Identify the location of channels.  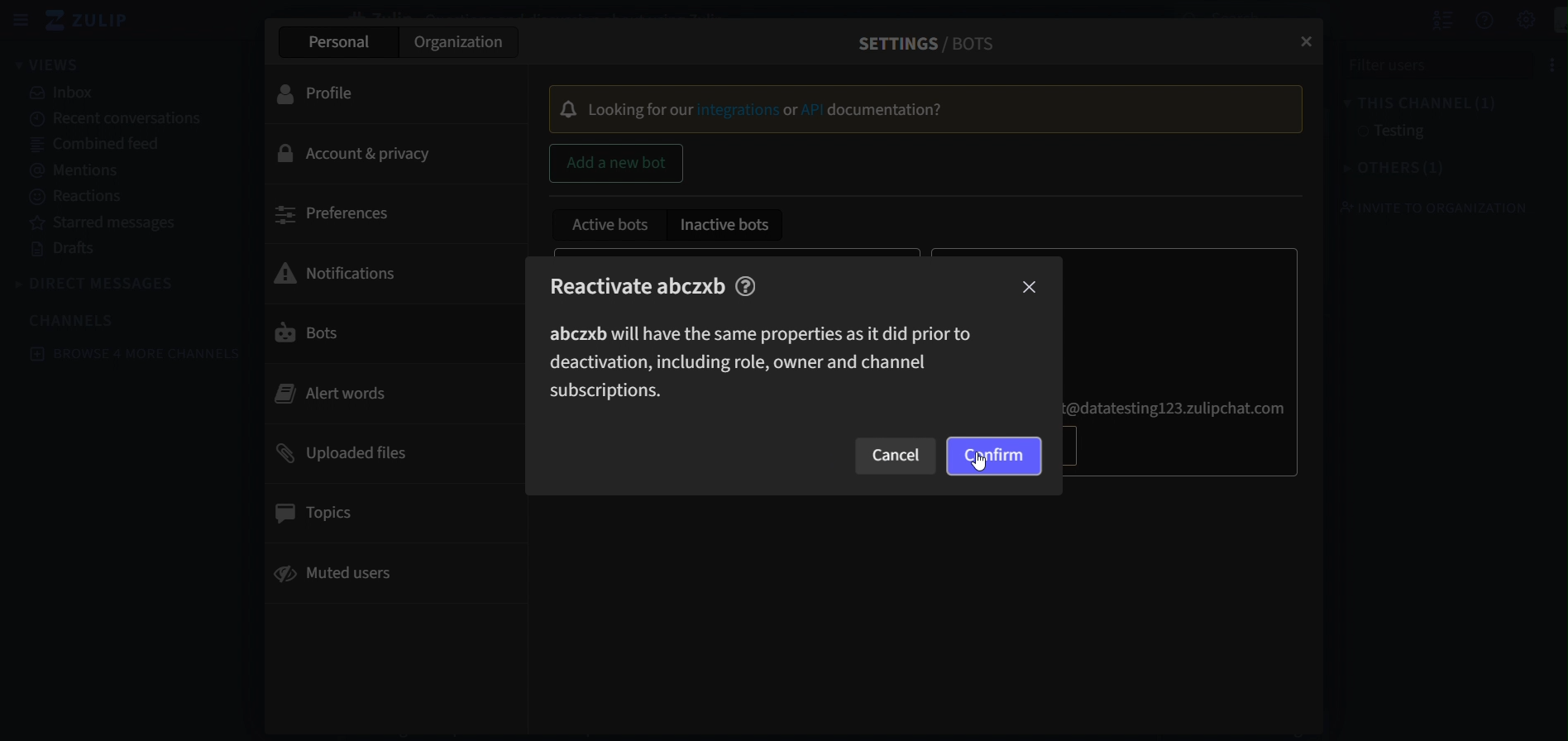
(74, 320).